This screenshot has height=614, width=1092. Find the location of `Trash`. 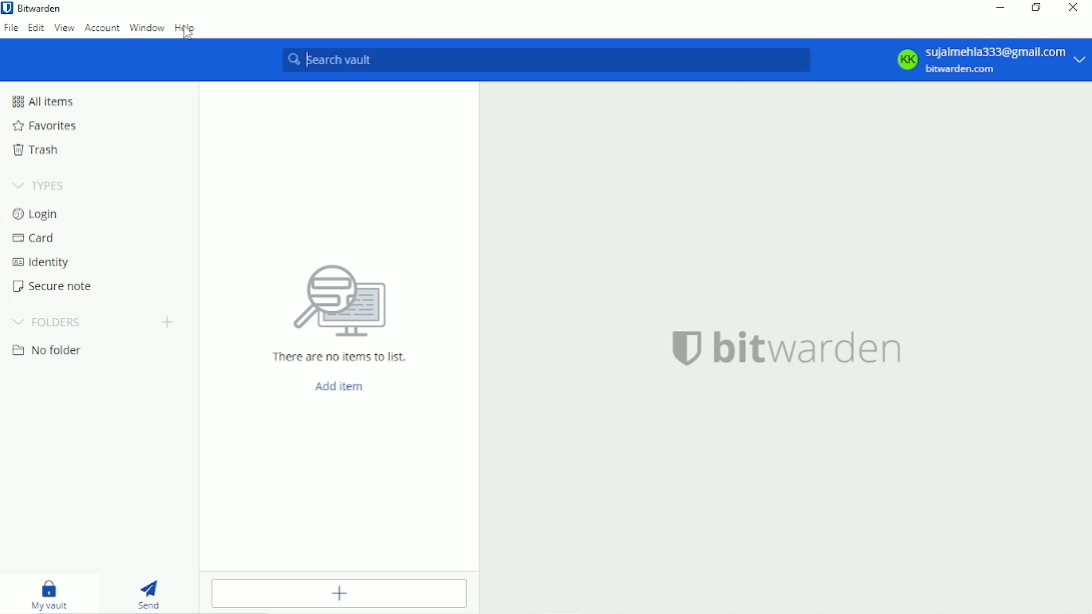

Trash is located at coordinates (37, 150).